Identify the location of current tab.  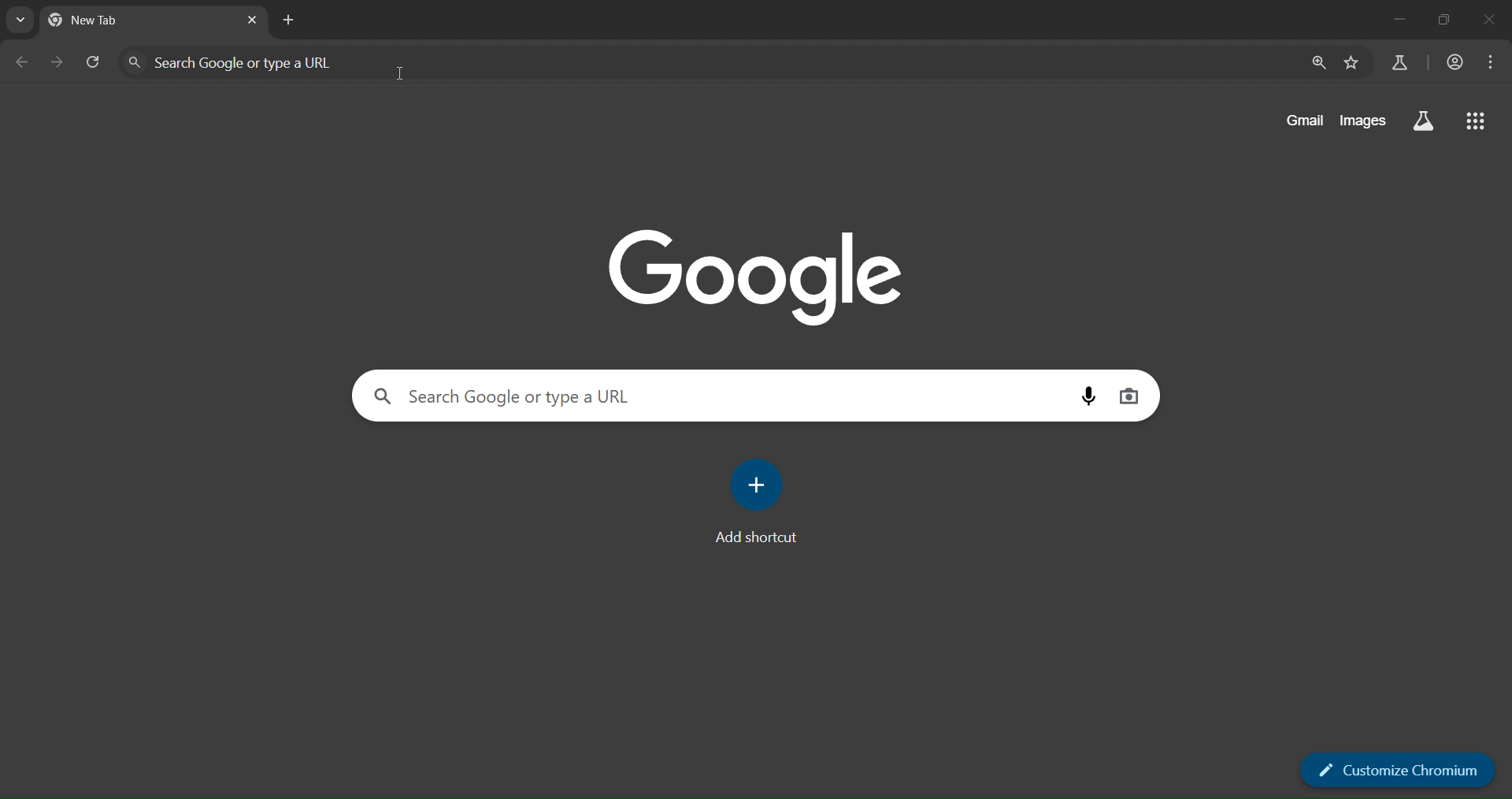
(114, 20).